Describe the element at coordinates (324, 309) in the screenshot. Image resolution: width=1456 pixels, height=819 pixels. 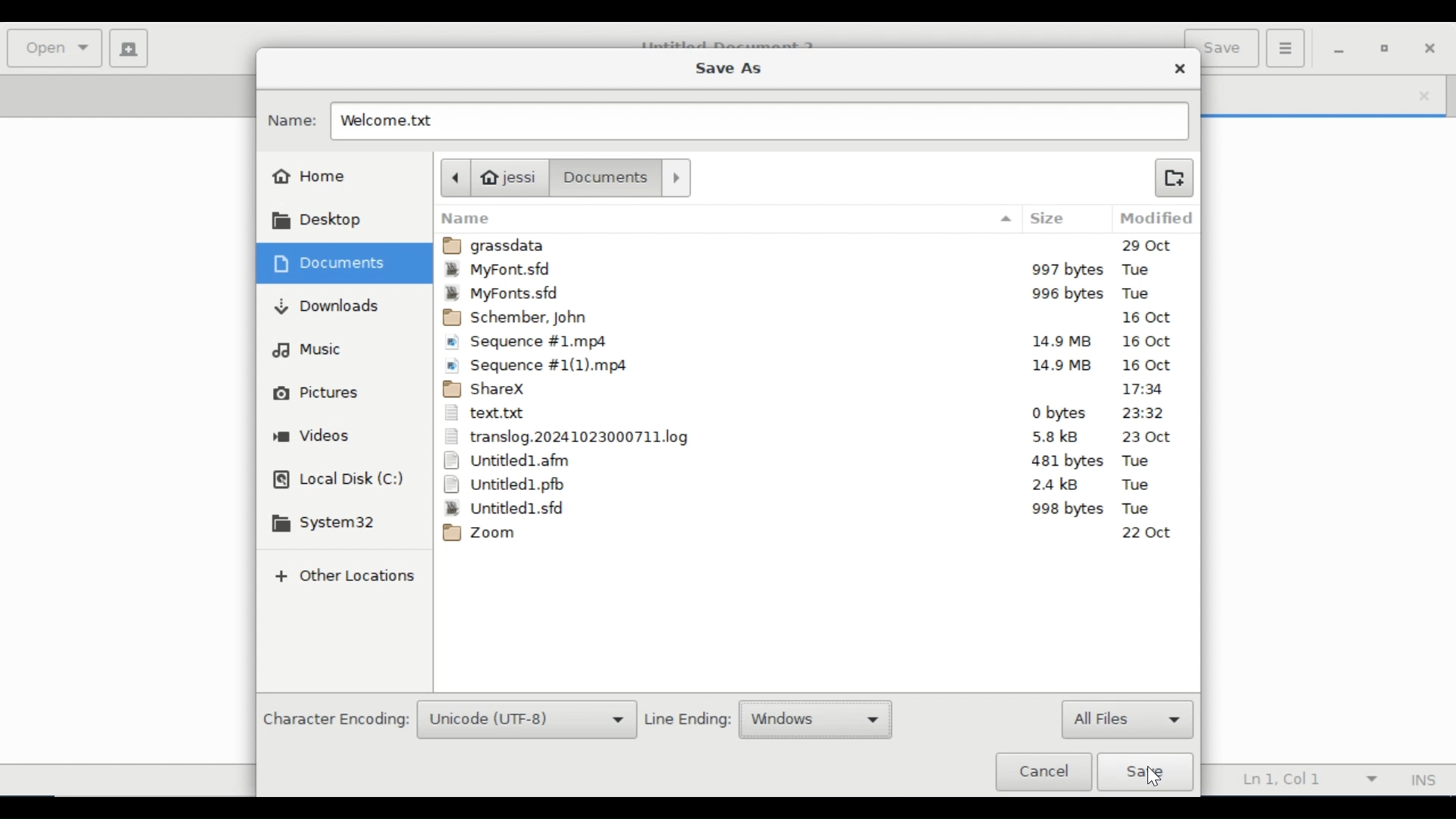
I see `Downloads` at that location.